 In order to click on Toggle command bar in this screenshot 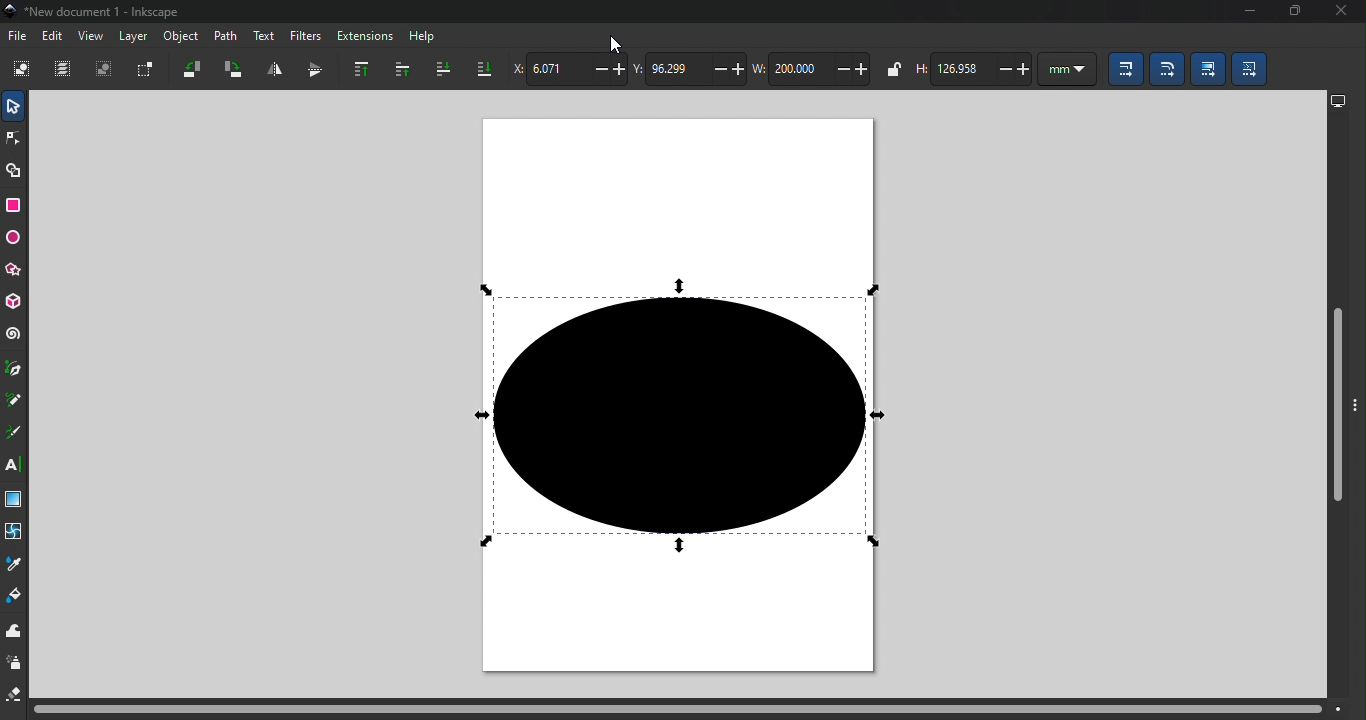, I will do `click(1358, 400)`.